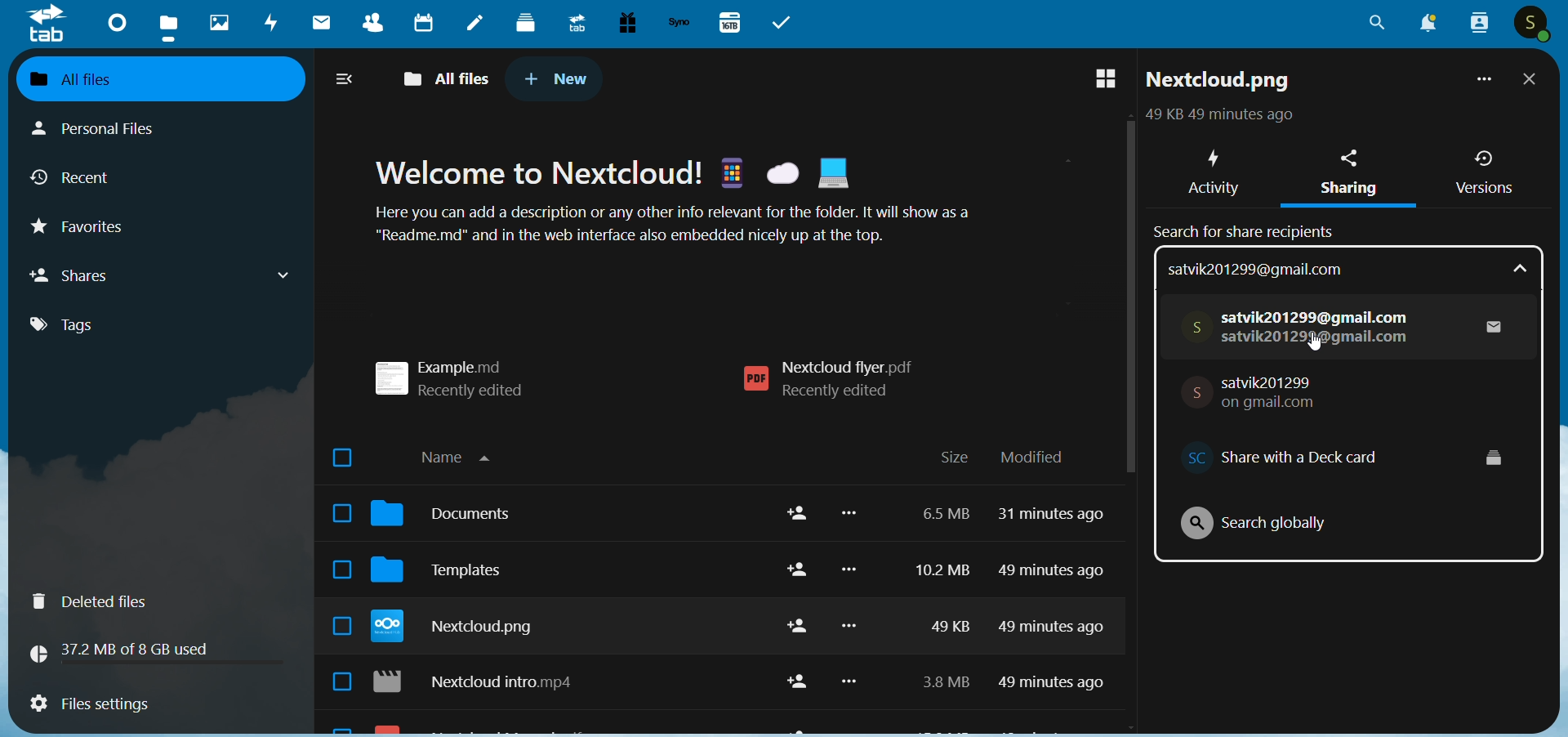 This screenshot has width=1568, height=737. I want to click on nextcloud png, so click(461, 629).